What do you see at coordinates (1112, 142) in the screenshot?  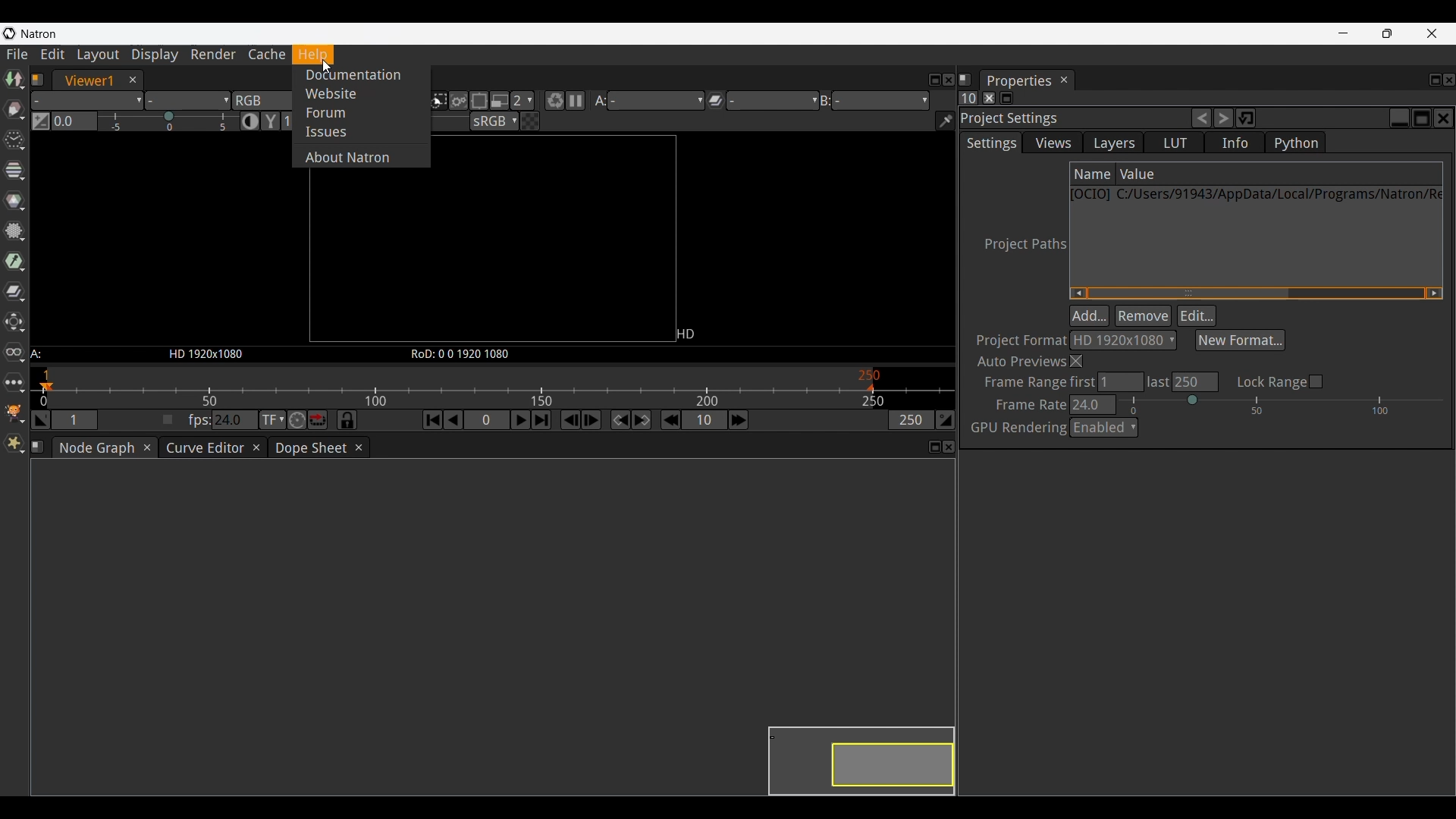 I see `Layers settings` at bounding box center [1112, 142].